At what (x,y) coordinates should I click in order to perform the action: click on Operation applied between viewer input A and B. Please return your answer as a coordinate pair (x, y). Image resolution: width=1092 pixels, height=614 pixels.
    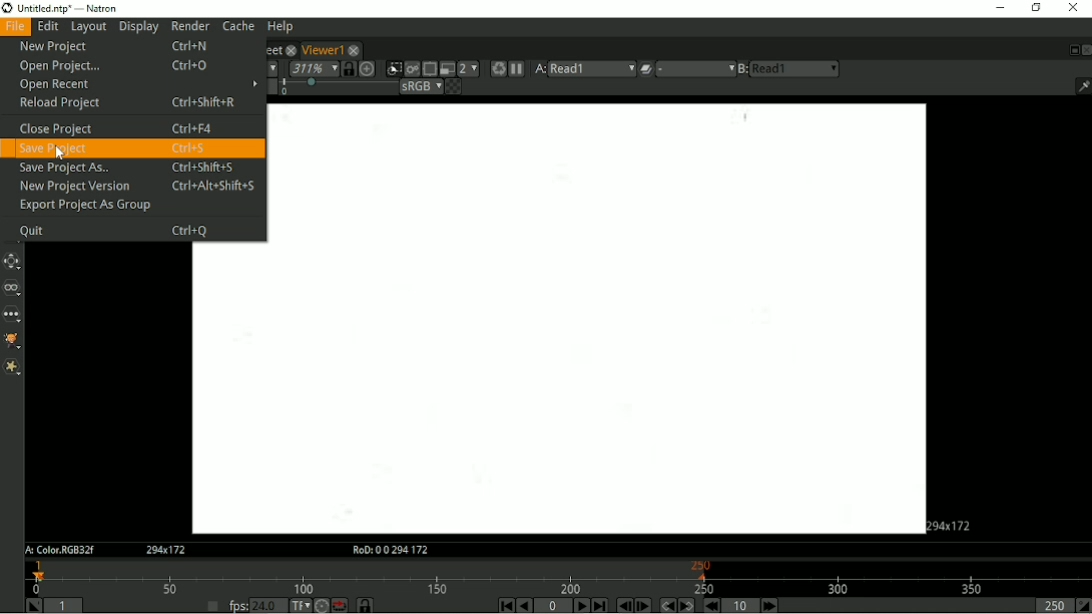
    Looking at the image, I should click on (645, 70).